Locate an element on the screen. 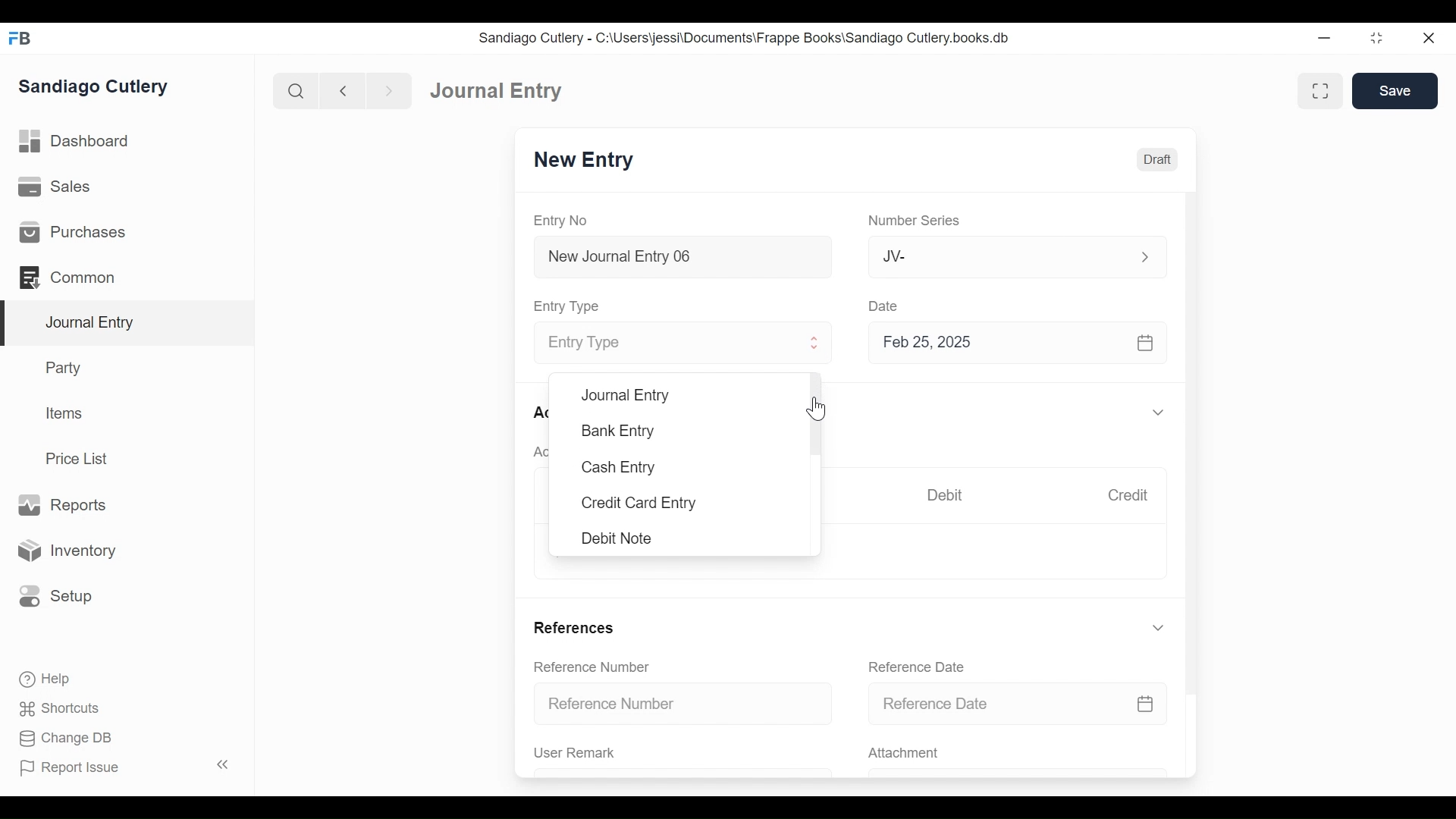 Image resolution: width=1456 pixels, height=819 pixels. Debit is located at coordinates (945, 495).